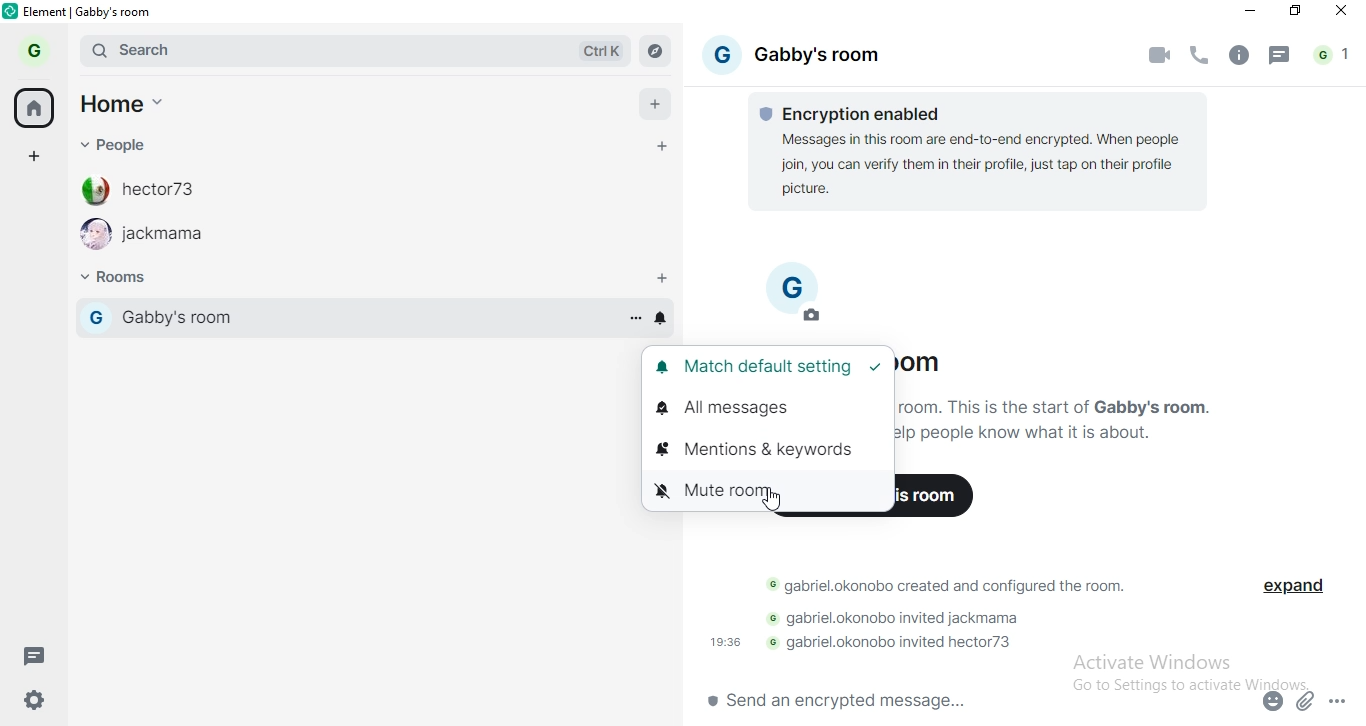 The height and width of the screenshot is (726, 1366). Describe the element at coordinates (833, 55) in the screenshot. I see `gabby's rooom` at that location.